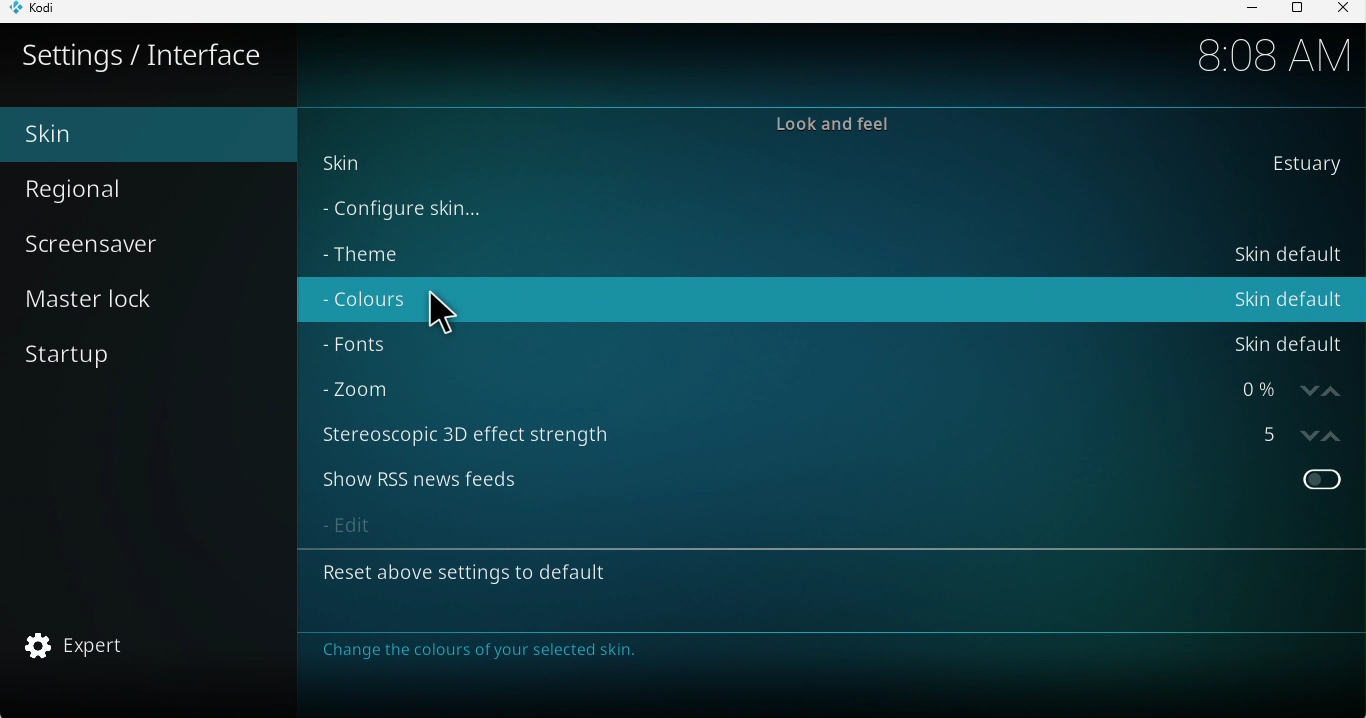 This screenshot has width=1366, height=718. I want to click on Screensaver, so click(104, 244).